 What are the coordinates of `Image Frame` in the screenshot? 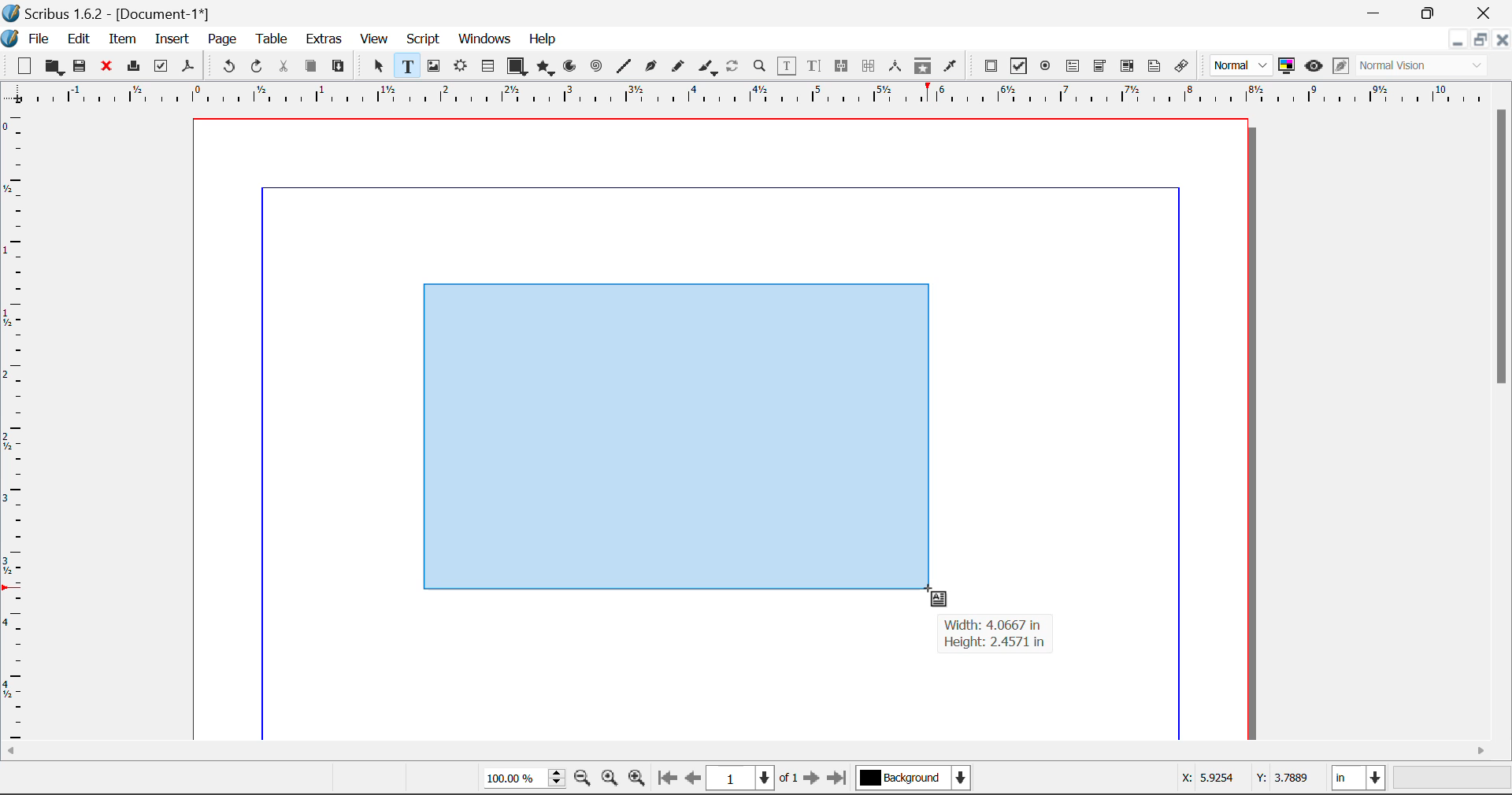 It's located at (433, 66).